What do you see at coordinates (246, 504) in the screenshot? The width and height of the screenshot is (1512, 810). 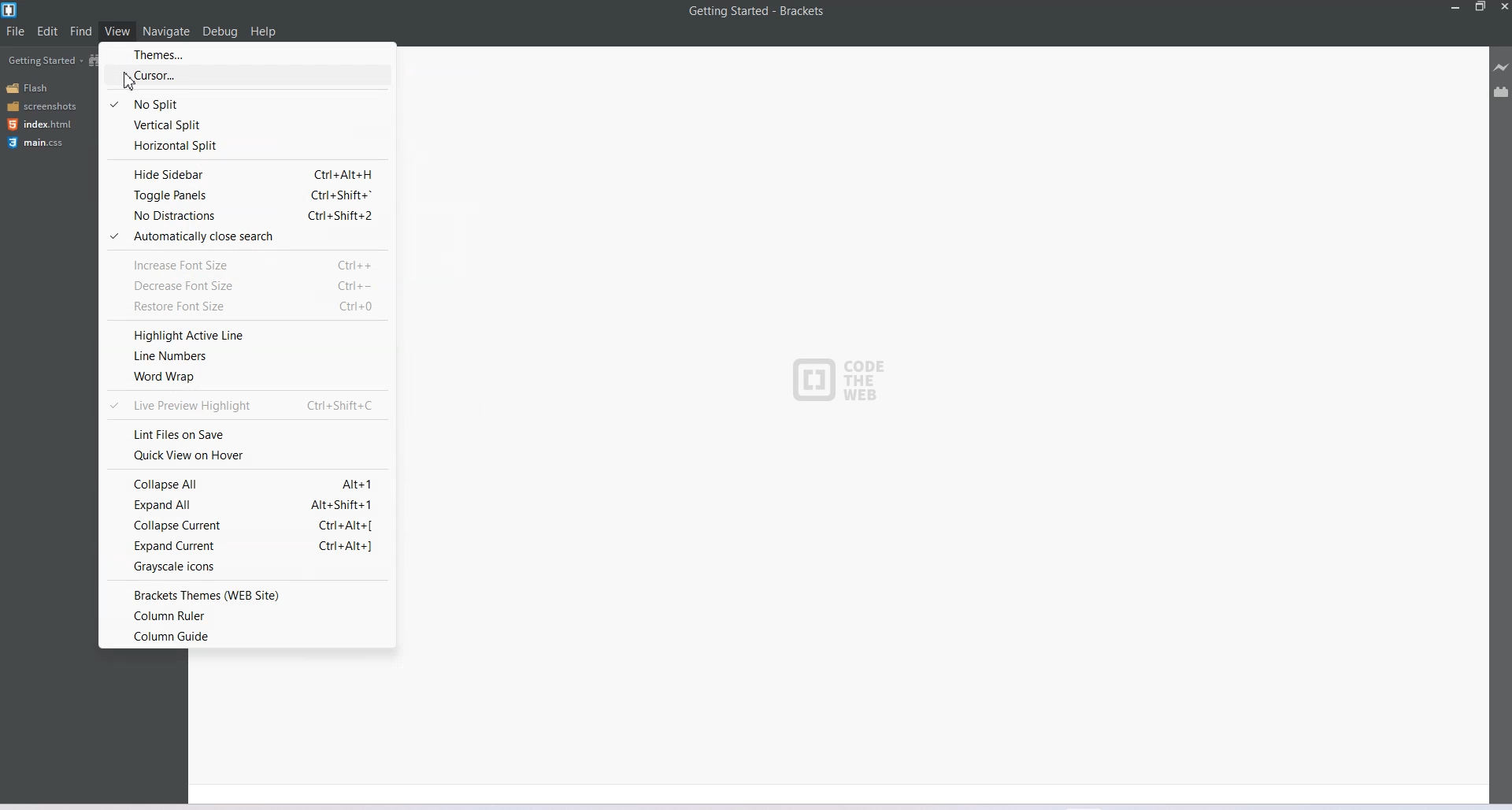 I see `Expand all` at bounding box center [246, 504].